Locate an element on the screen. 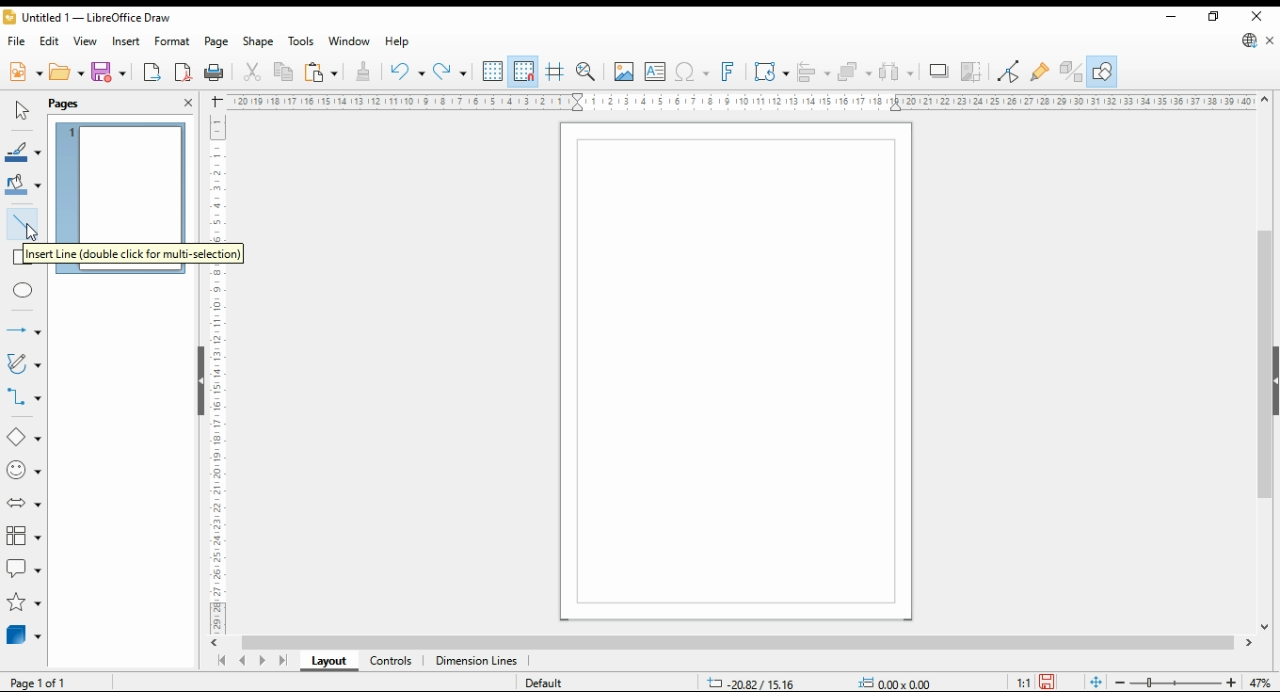 The width and height of the screenshot is (1280, 692). scroll bar is located at coordinates (1264, 365).